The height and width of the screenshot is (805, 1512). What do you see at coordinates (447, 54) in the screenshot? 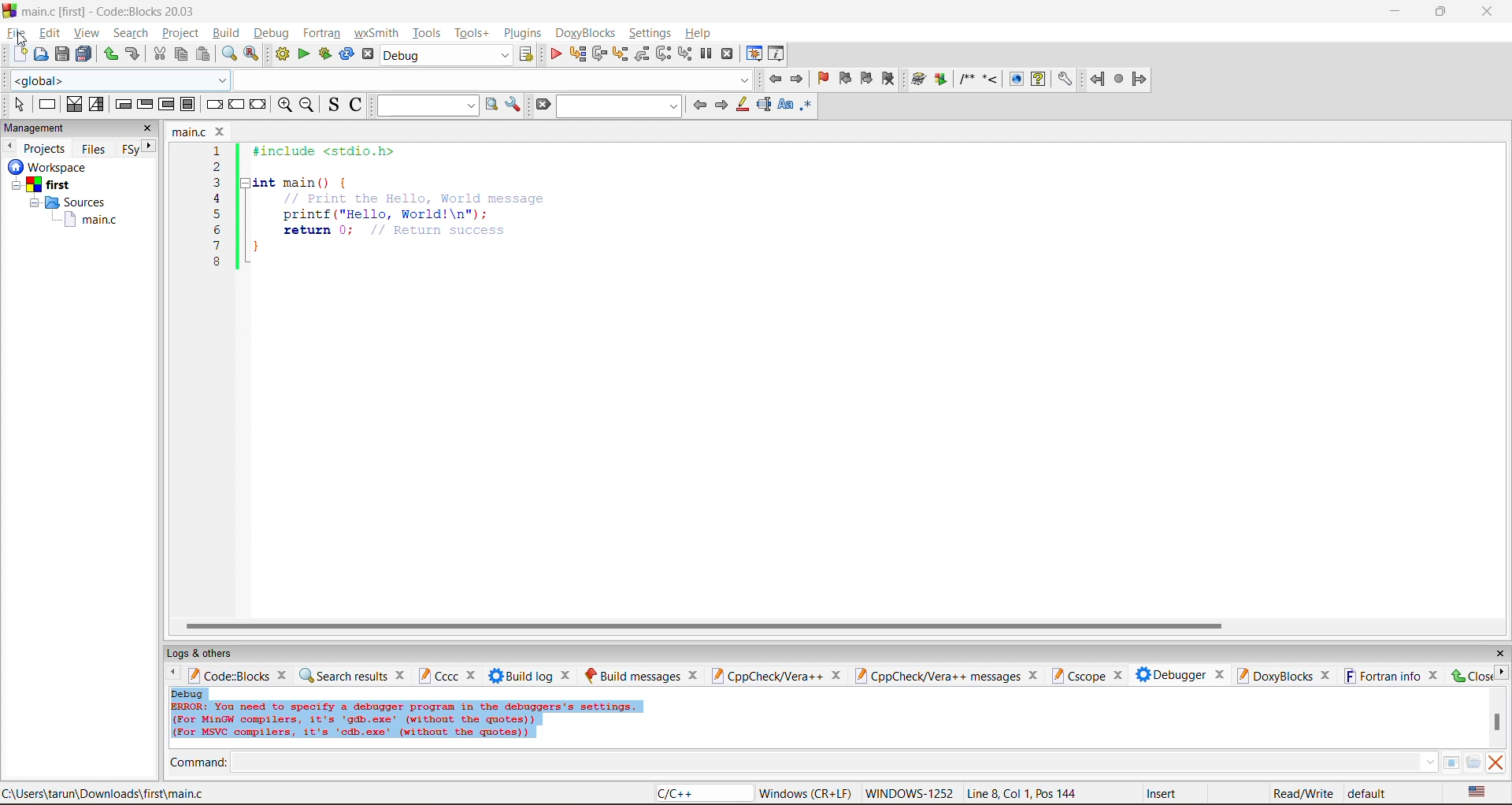
I see `build target` at bounding box center [447, 54].